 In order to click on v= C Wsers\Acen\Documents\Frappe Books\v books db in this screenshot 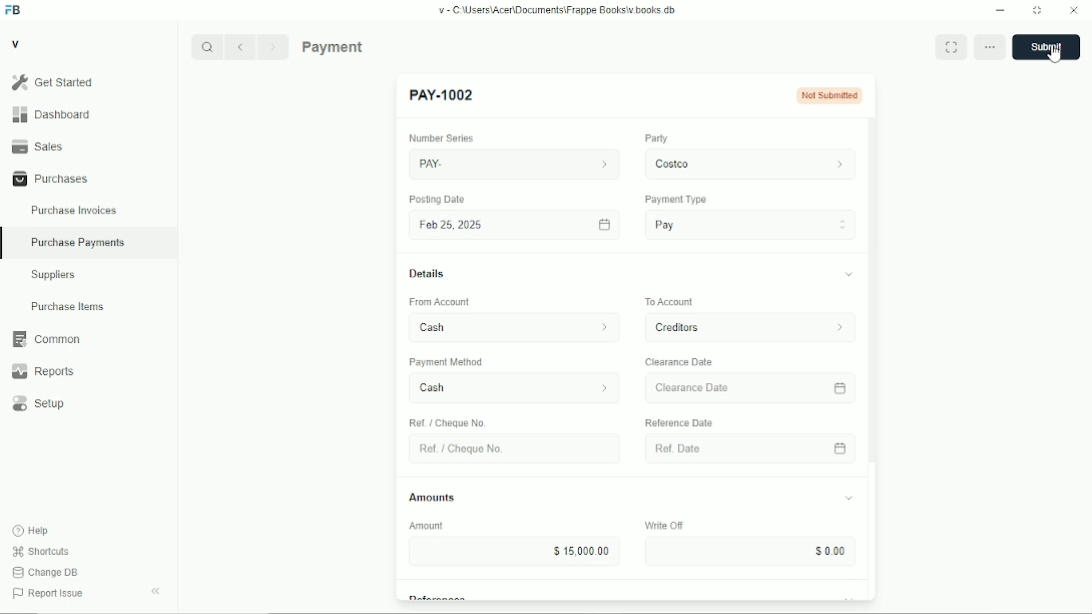, I will do `click(558, 10)`.